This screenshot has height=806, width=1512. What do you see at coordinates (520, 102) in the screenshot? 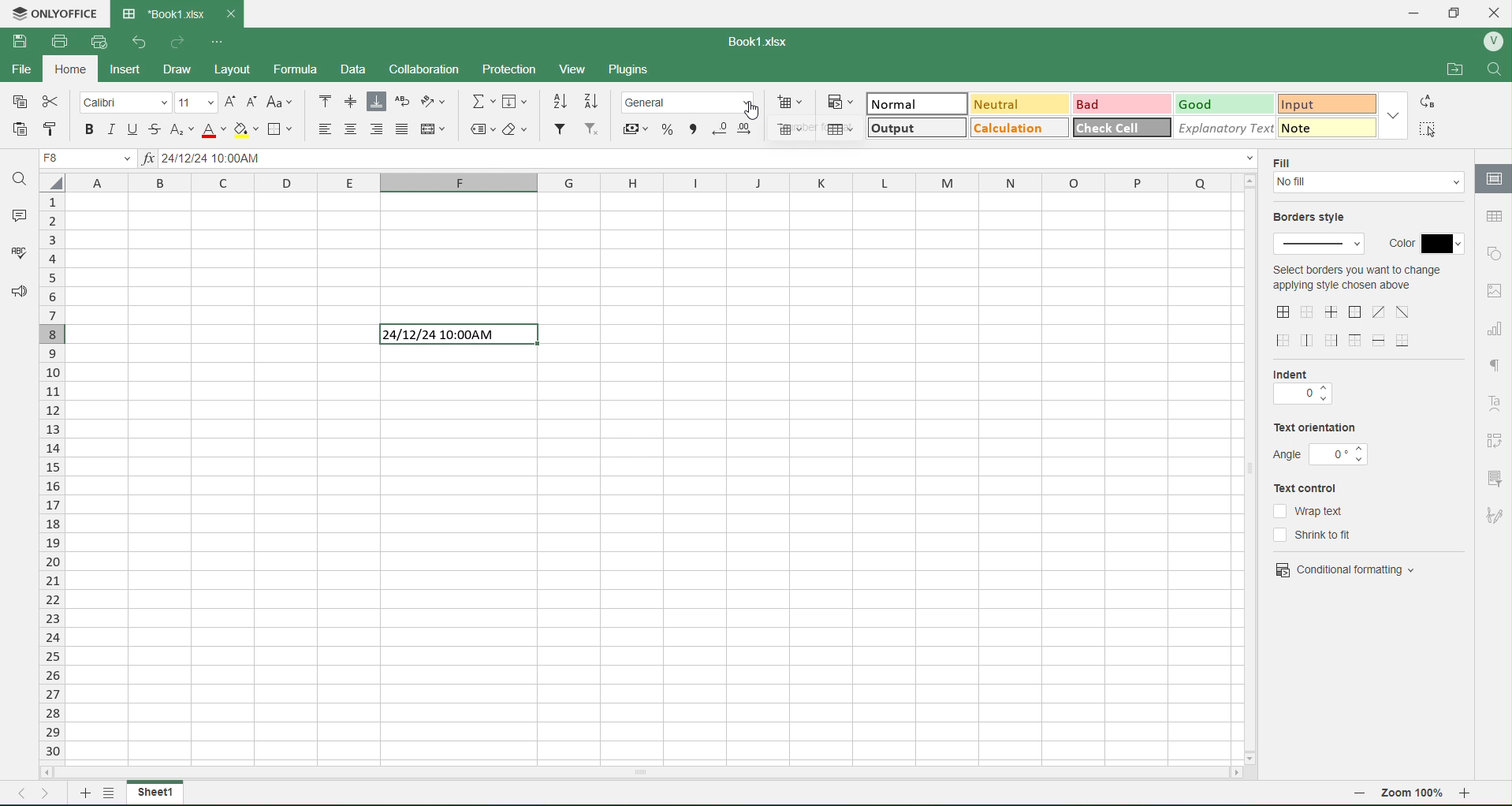
I see `Fill` at bounding box center [520, 102].